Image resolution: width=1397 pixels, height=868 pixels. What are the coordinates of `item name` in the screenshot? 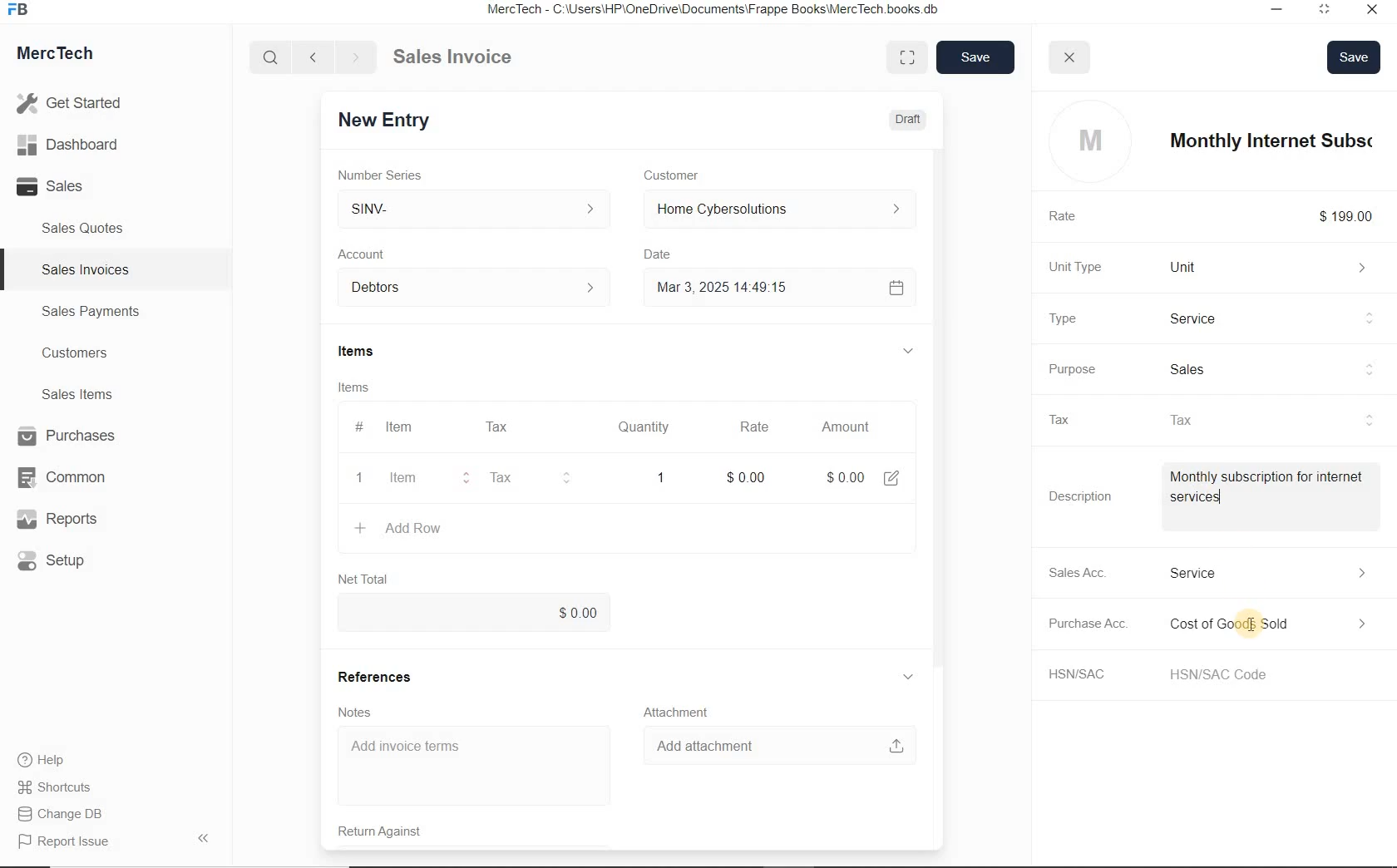 It's located at (1263, 141).